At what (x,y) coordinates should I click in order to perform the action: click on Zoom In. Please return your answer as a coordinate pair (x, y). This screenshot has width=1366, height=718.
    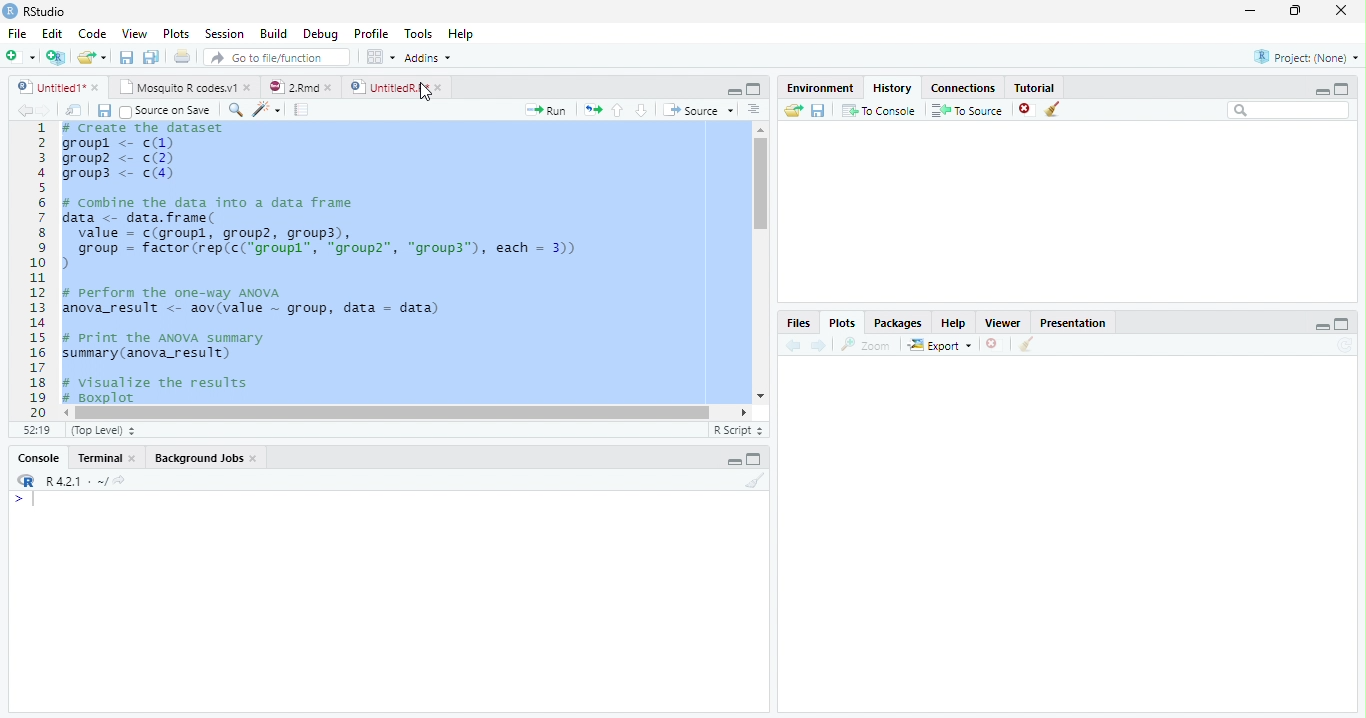
    Looking at the image, I should click on (234, 111).